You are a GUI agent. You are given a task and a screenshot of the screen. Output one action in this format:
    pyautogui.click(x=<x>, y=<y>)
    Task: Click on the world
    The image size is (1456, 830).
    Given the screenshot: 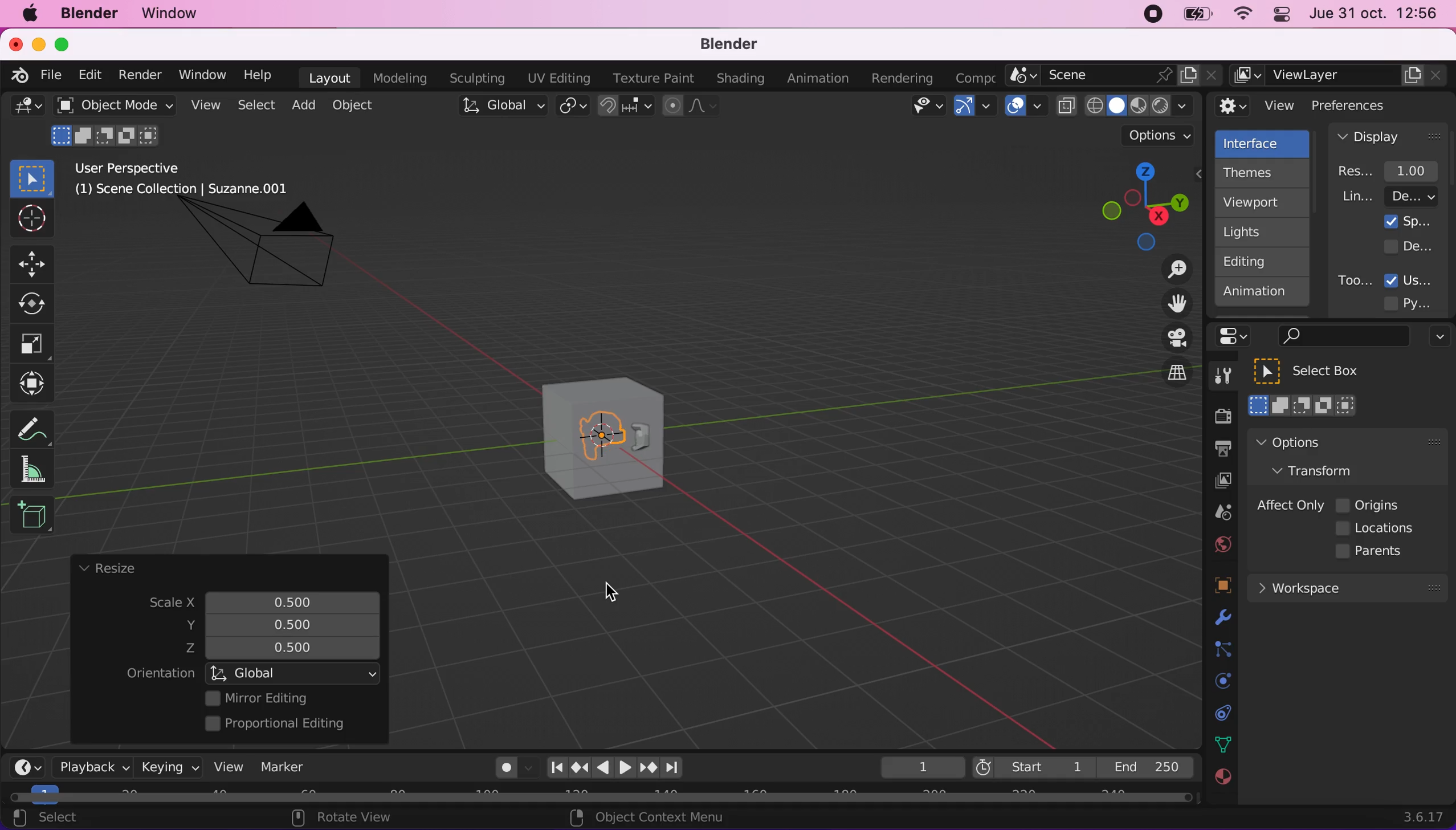 What is the action you would take?
    pyautogui.click(x=1220, y=543)
    